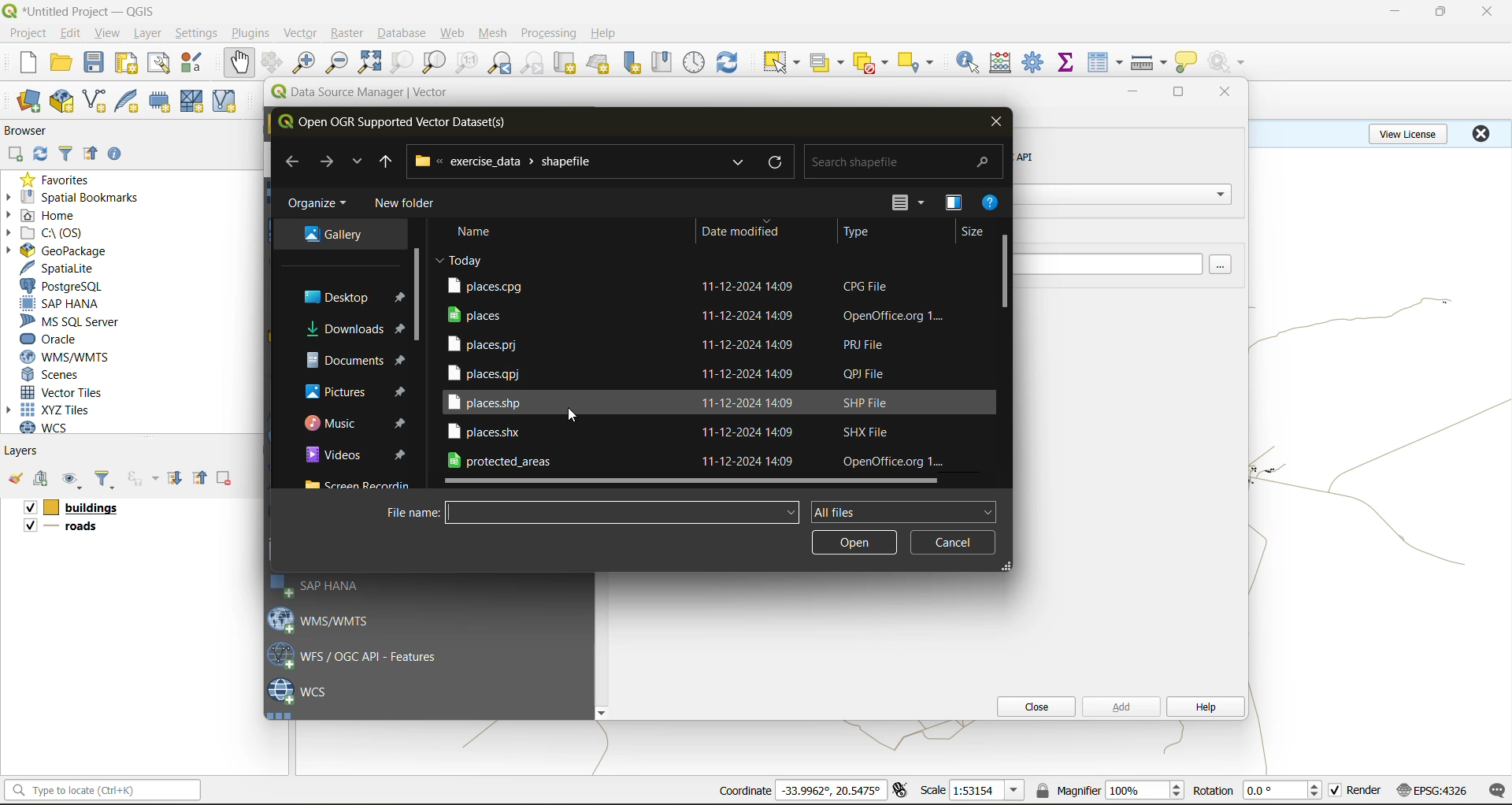 The image size is (1512, 805). I want to click on magnifier, so click(1067, 790).